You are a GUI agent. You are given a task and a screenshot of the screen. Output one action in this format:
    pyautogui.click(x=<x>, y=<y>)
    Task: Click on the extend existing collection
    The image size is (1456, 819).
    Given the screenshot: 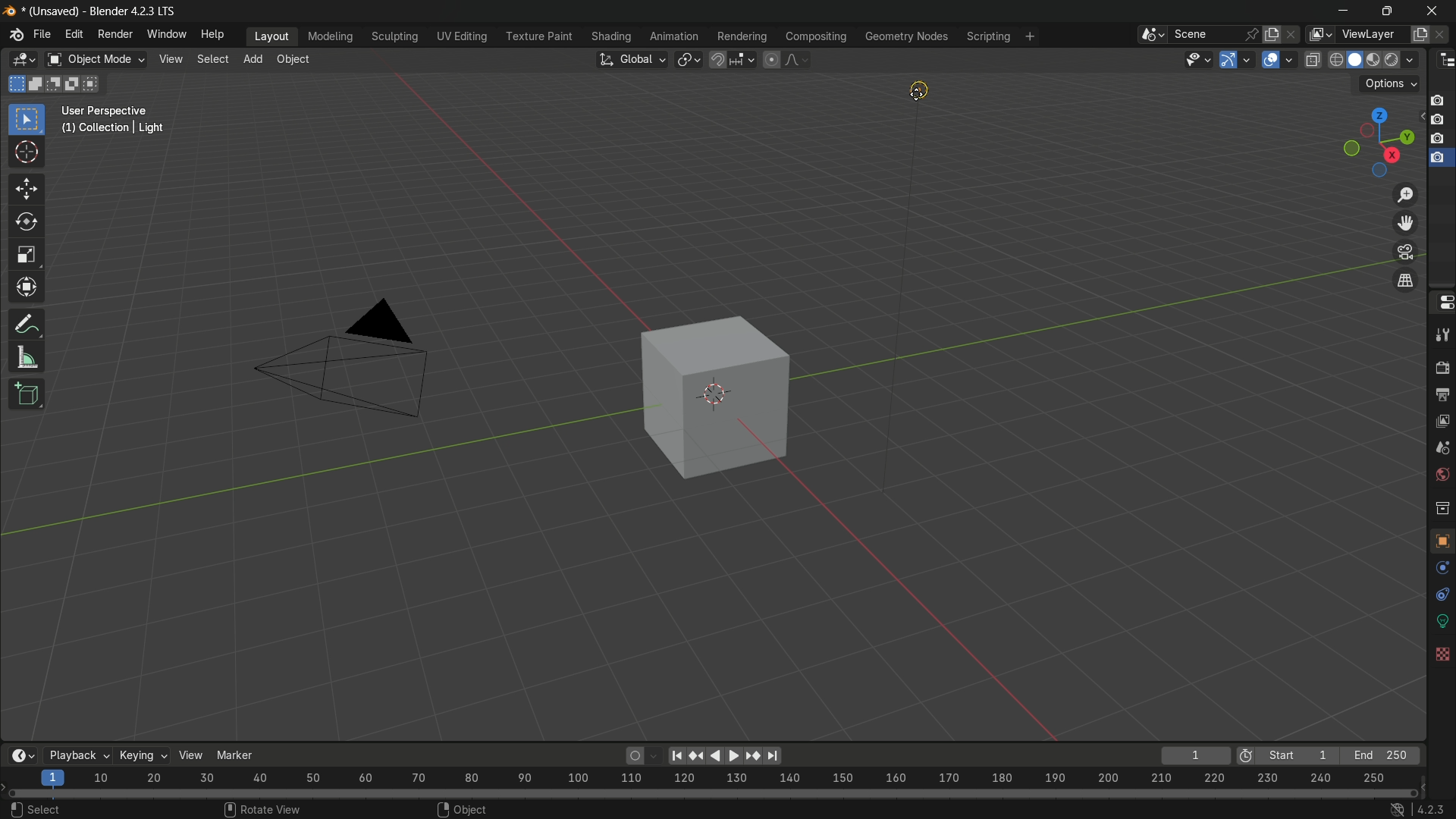 What is the action you would take?
    pyautogui.click(x=38, y=83)
    